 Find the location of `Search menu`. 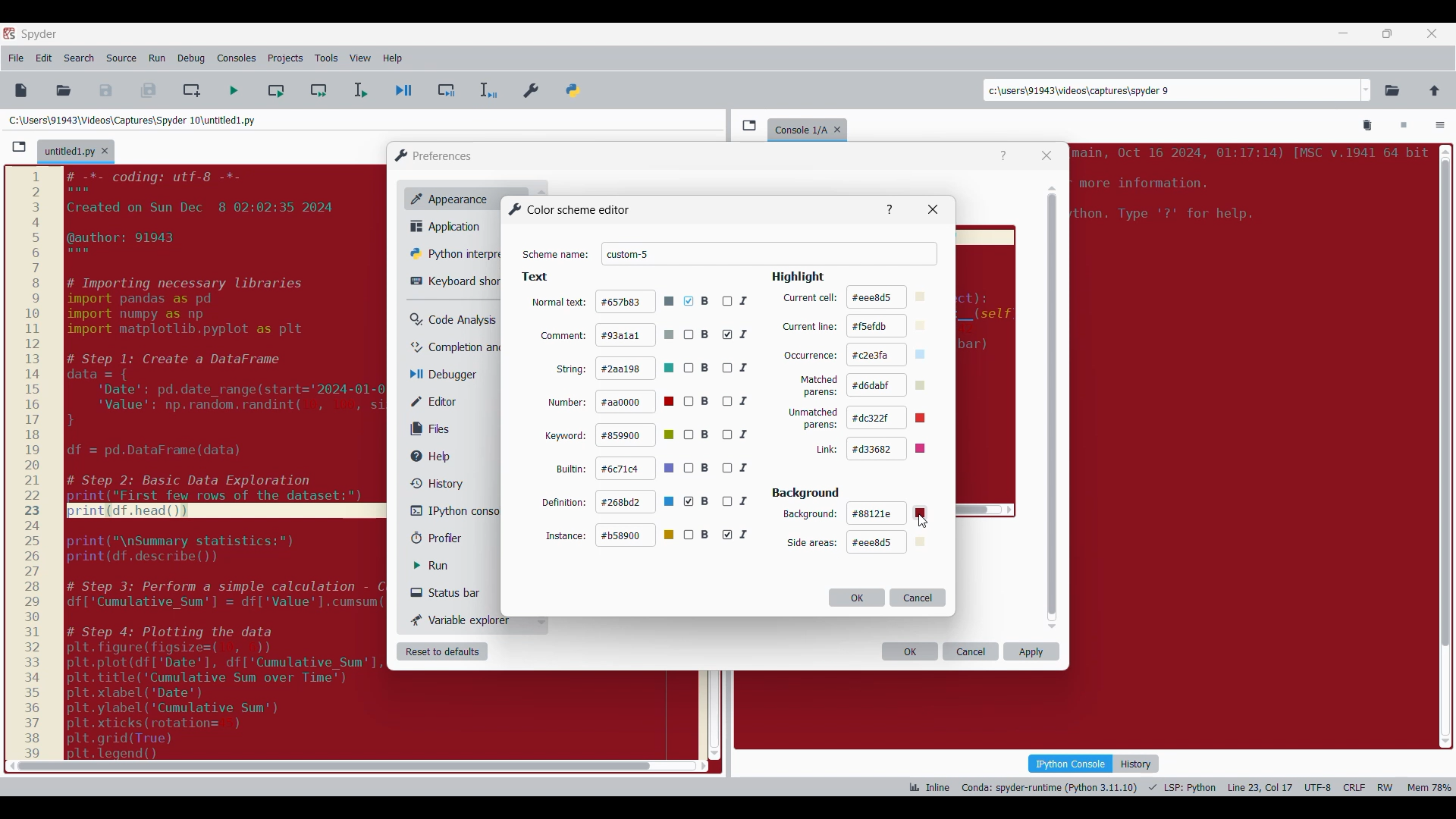

Search menu is located at coordinates (80, 58).